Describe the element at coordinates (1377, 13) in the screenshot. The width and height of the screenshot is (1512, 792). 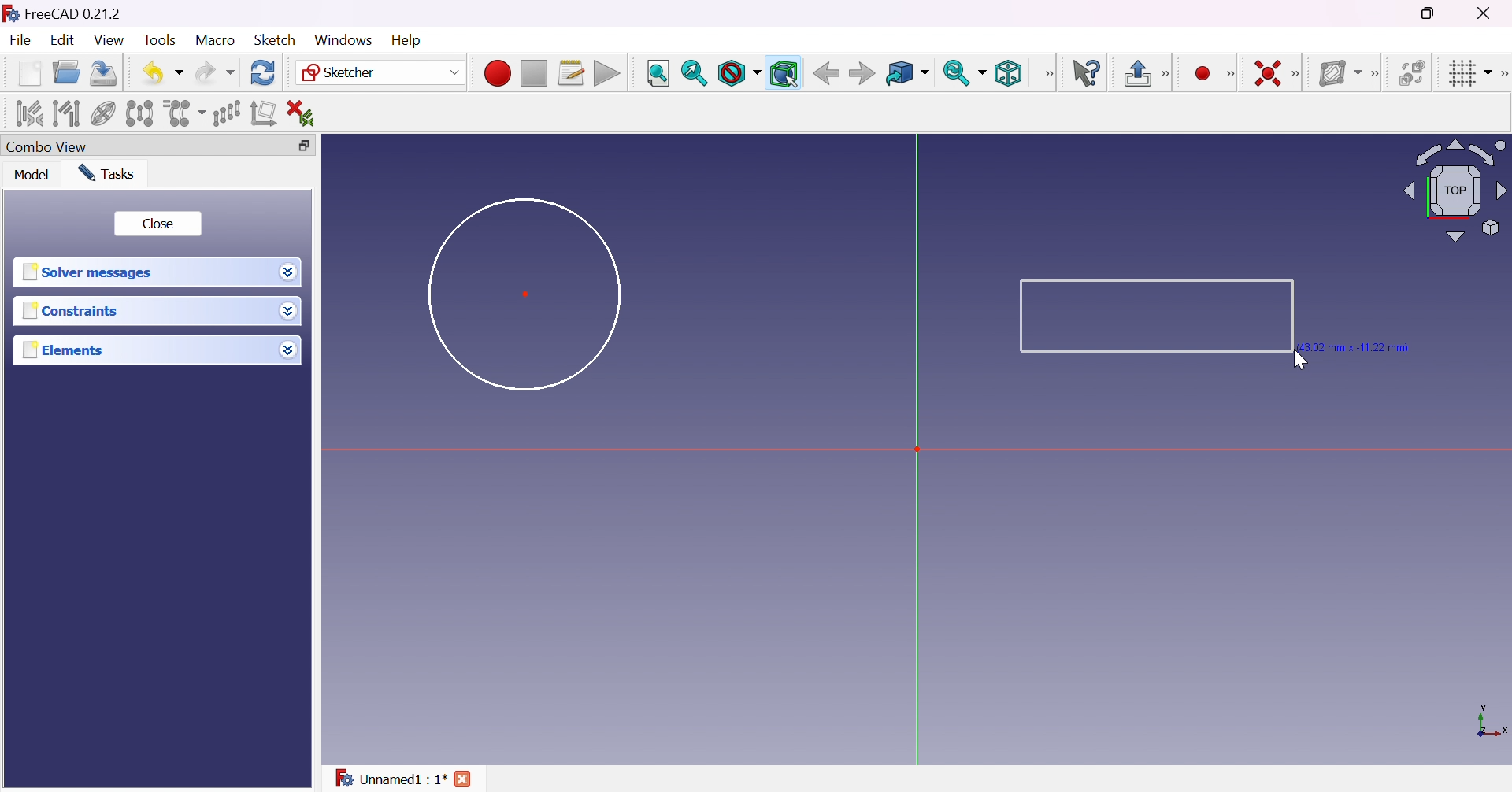
I see `Minimize` at that location.